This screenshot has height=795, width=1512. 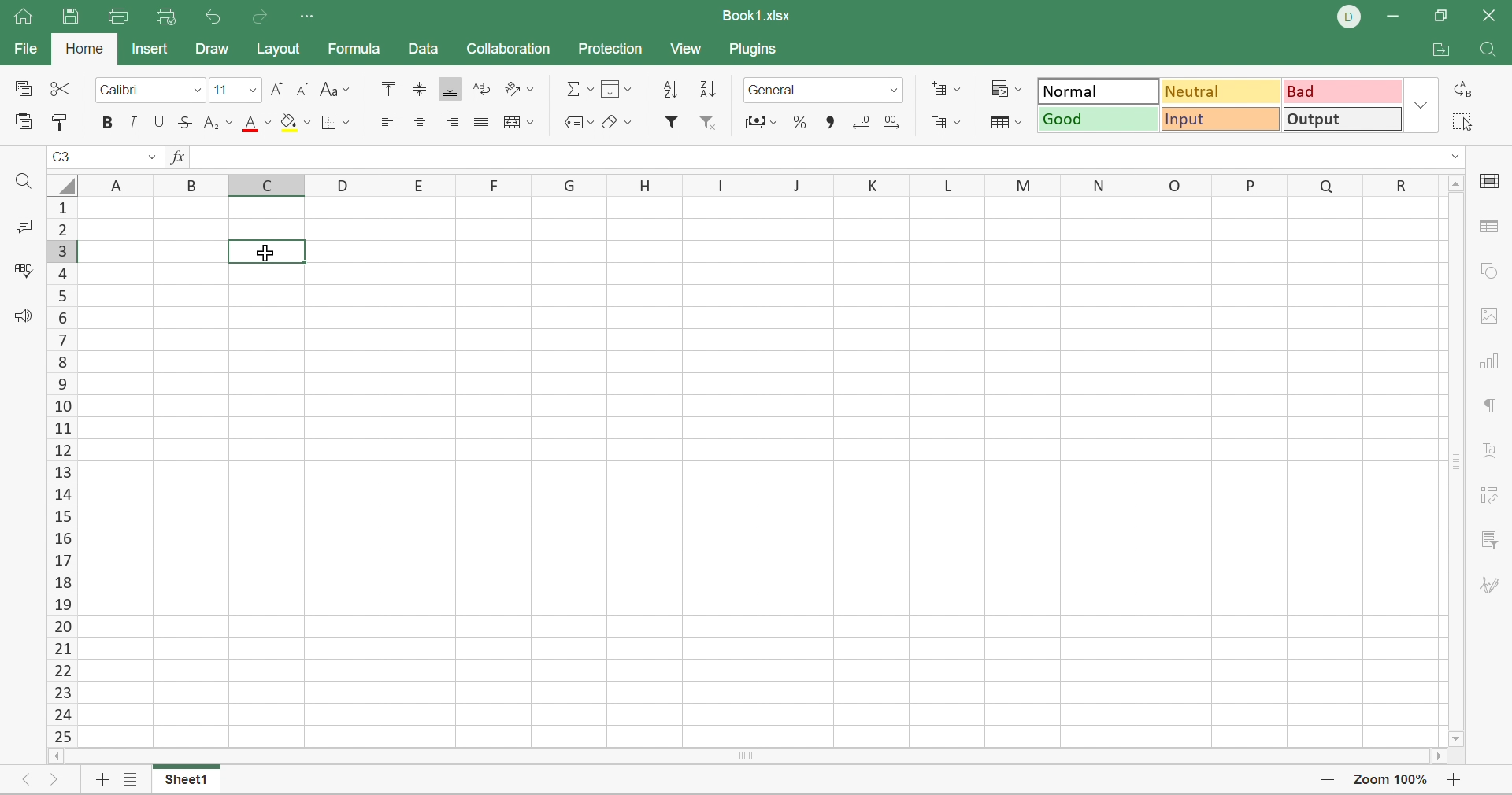 What do you see at coordinates (1495, 409) in the screenshot?
I see `paragraph settings` at bounding box center [1495, 409].